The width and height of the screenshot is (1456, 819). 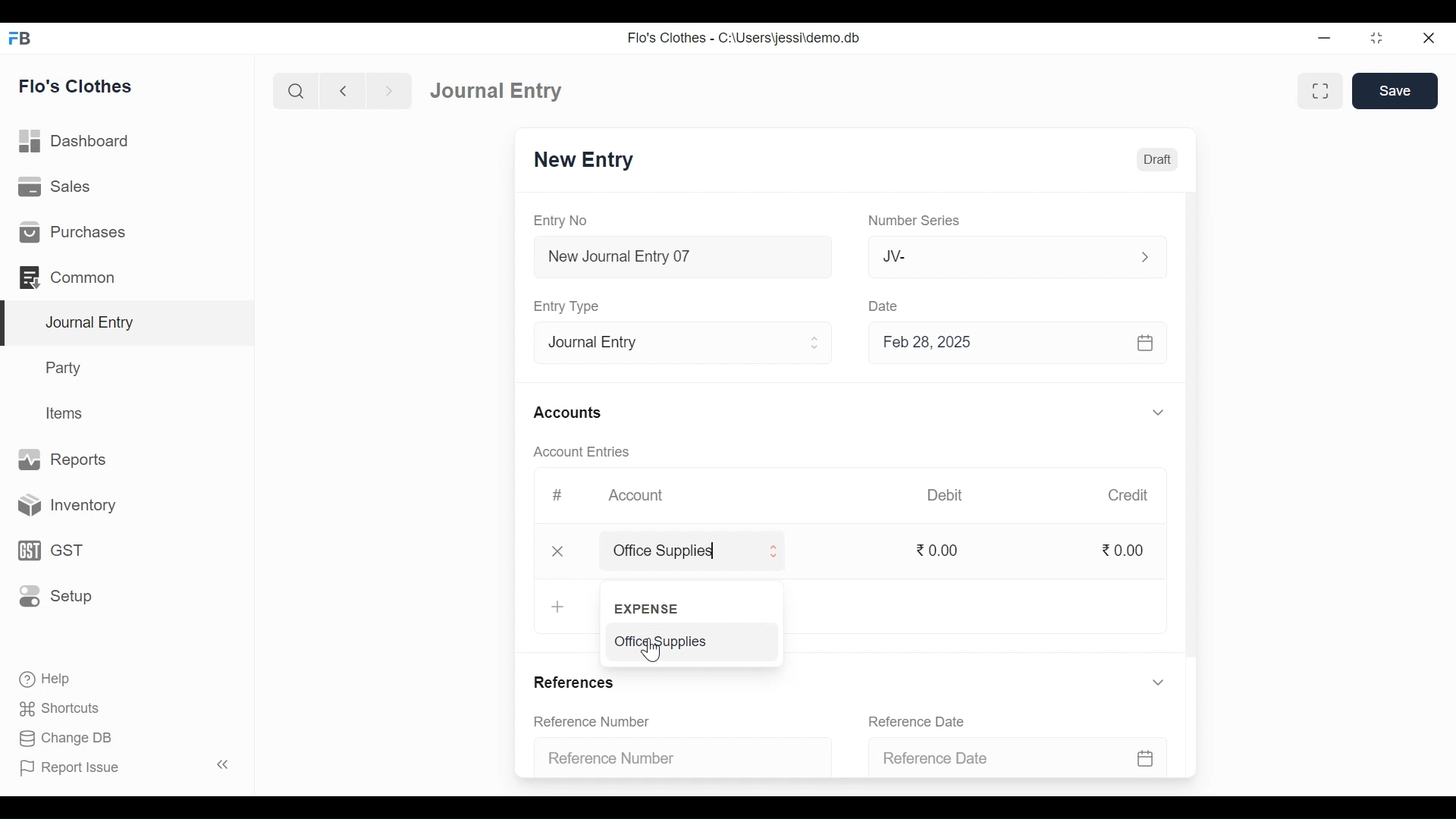 What do you see at coordinates (1126, 551) in the screenshot?
I see `0.00` at bounding box center [1126, 551].